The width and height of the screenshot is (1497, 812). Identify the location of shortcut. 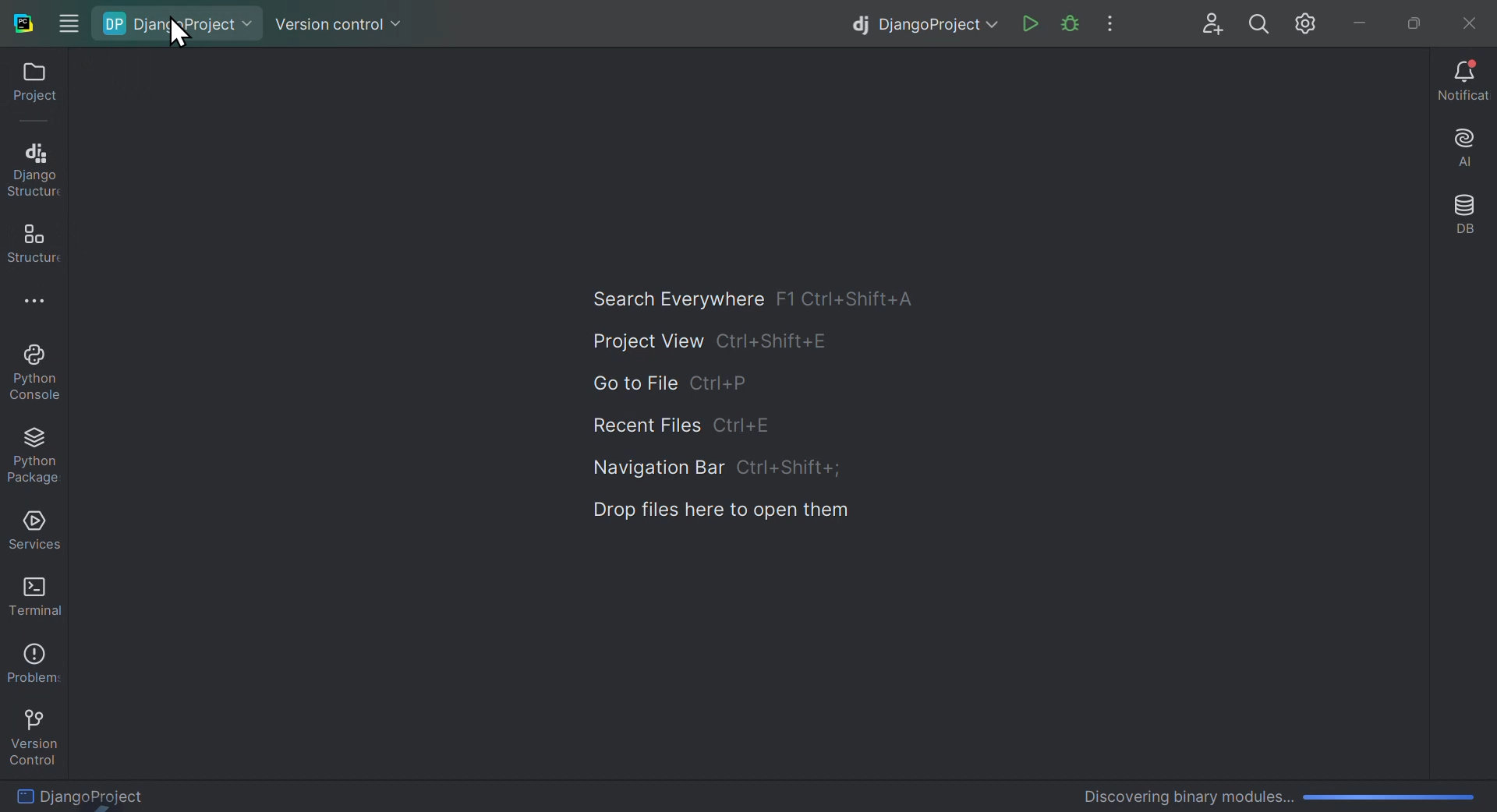
(725, 385).